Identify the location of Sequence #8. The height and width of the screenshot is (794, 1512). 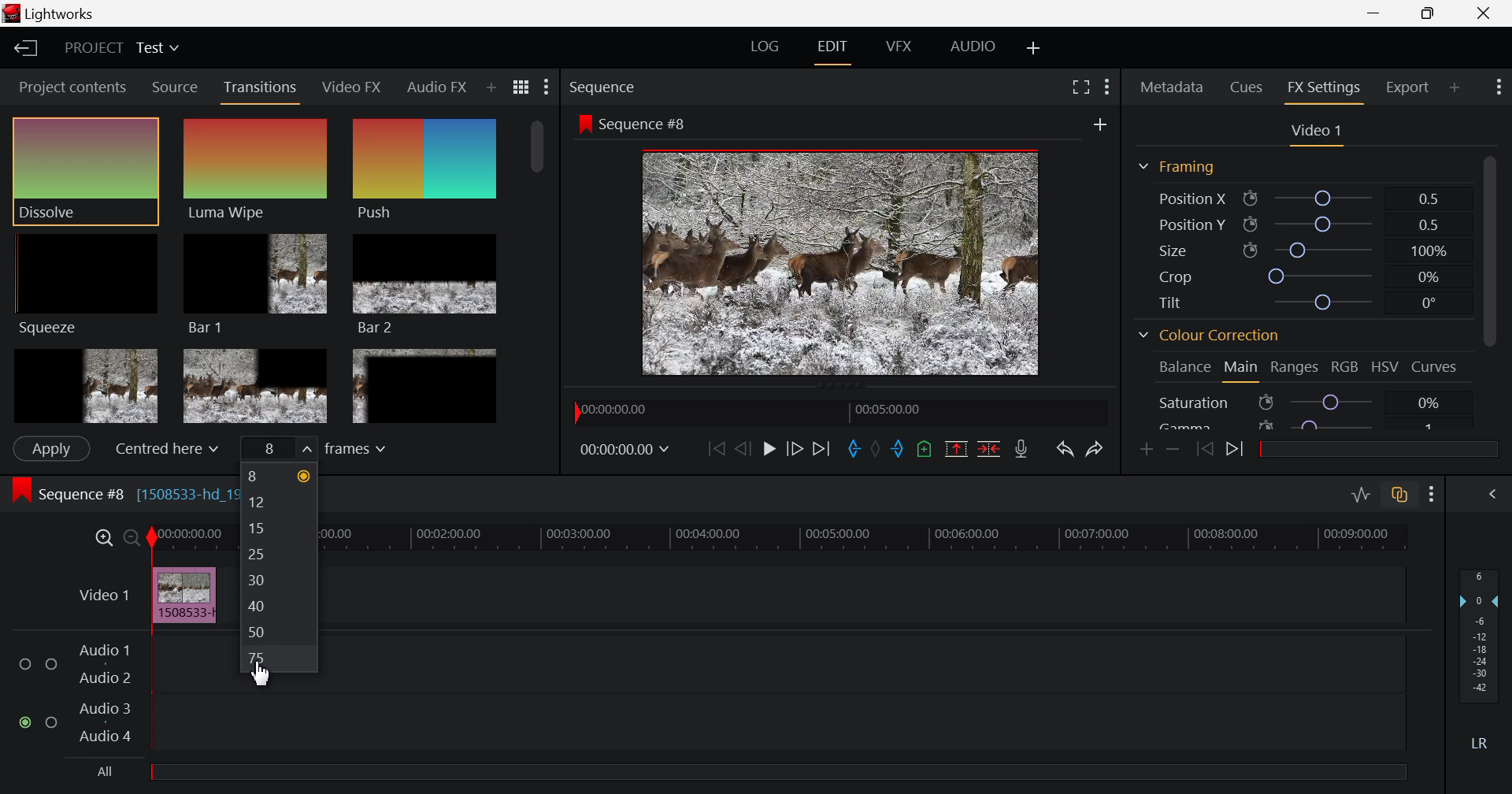
(649, 125).